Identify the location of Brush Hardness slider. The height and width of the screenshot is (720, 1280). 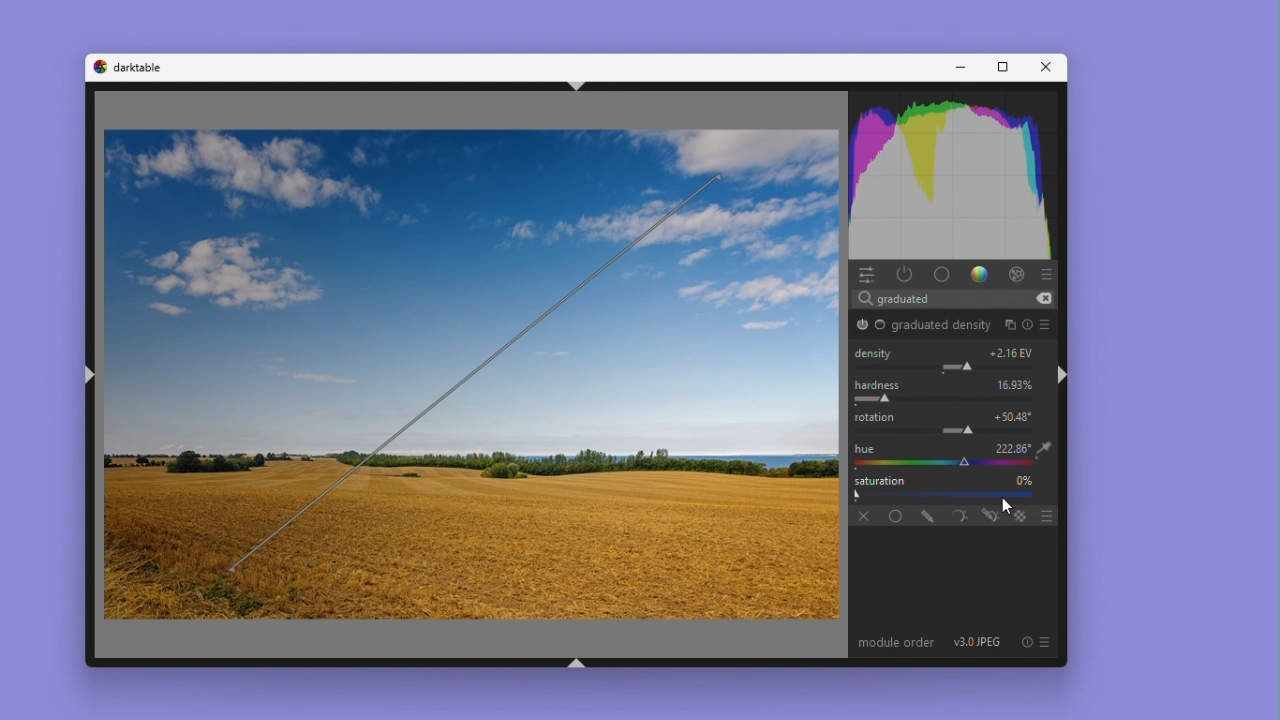
(950, 400).